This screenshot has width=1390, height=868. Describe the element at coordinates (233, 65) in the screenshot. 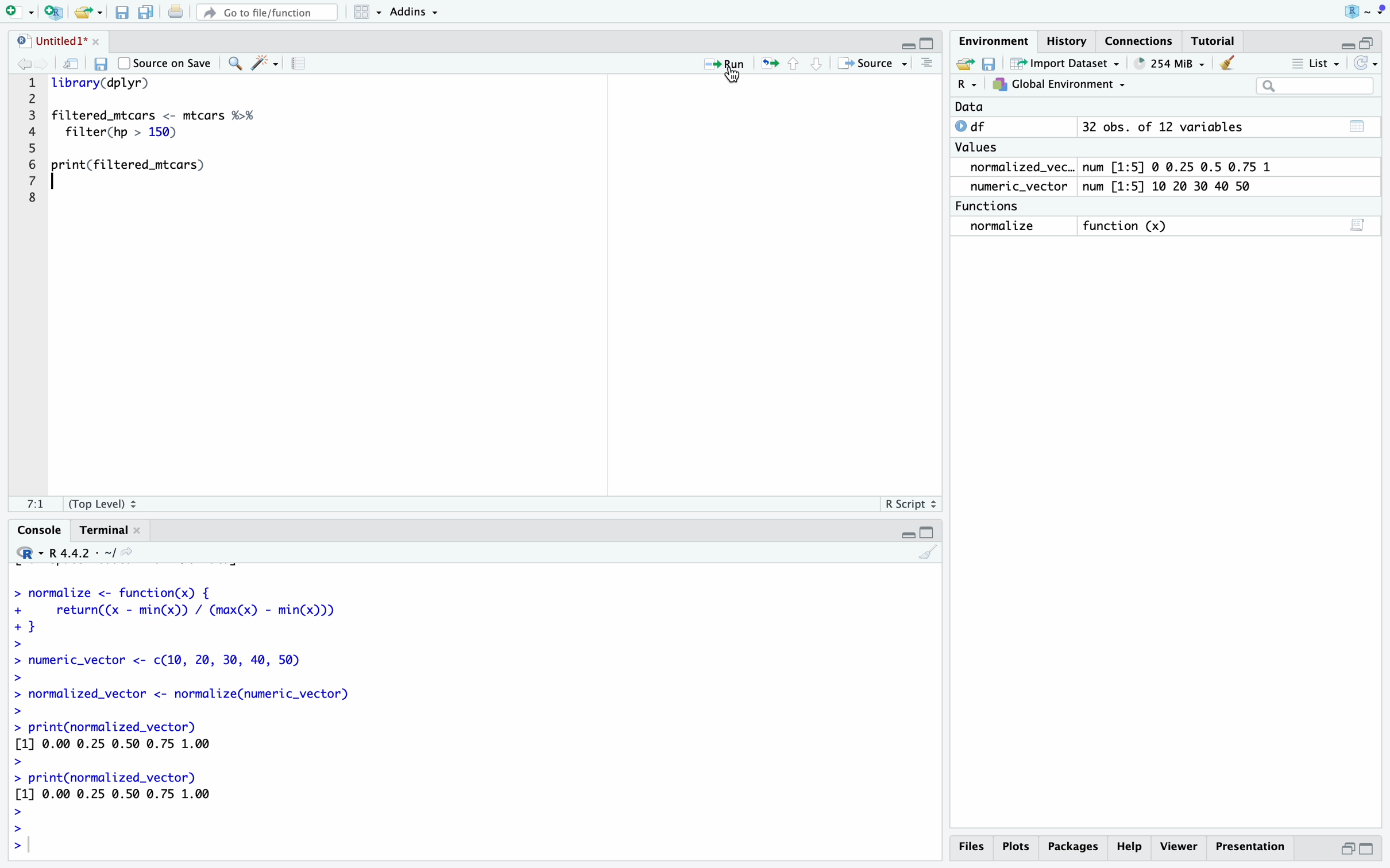

I see `find and replace` at that location.